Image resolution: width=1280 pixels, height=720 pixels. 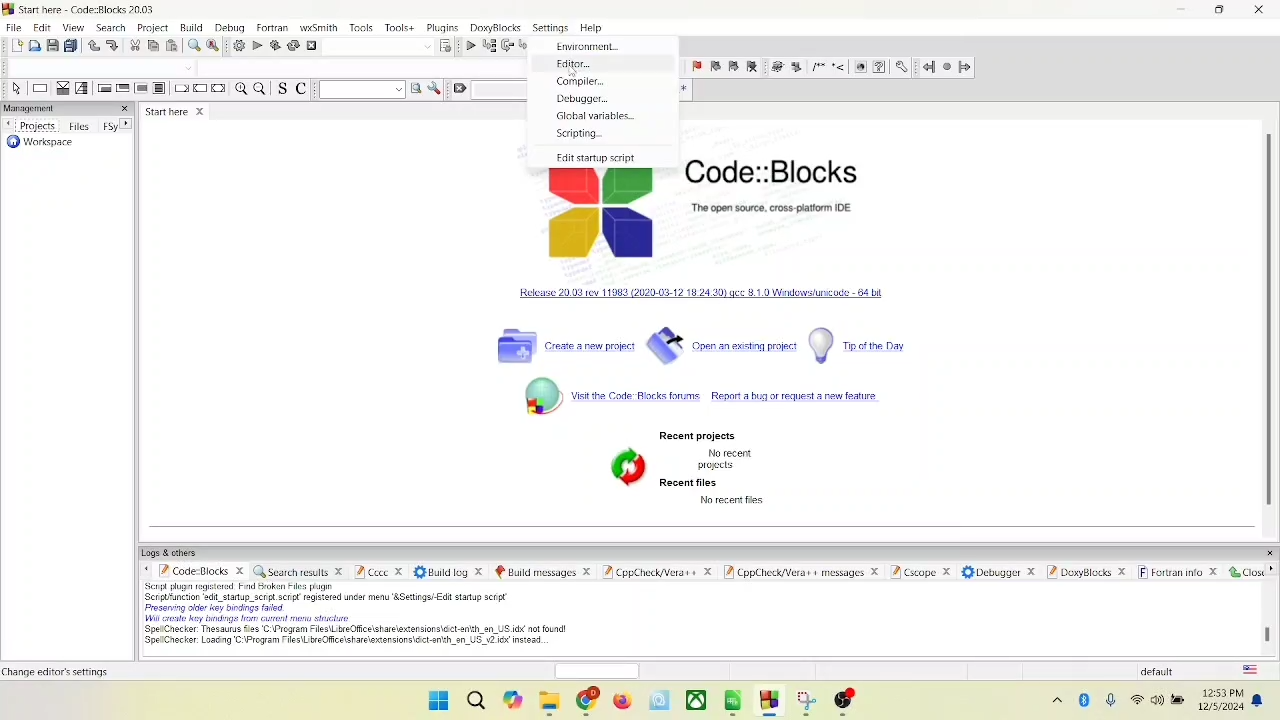 What do you see at coordinates (8, 10) in the screenshot?
I see `logo` at bounding box center [8, 10].